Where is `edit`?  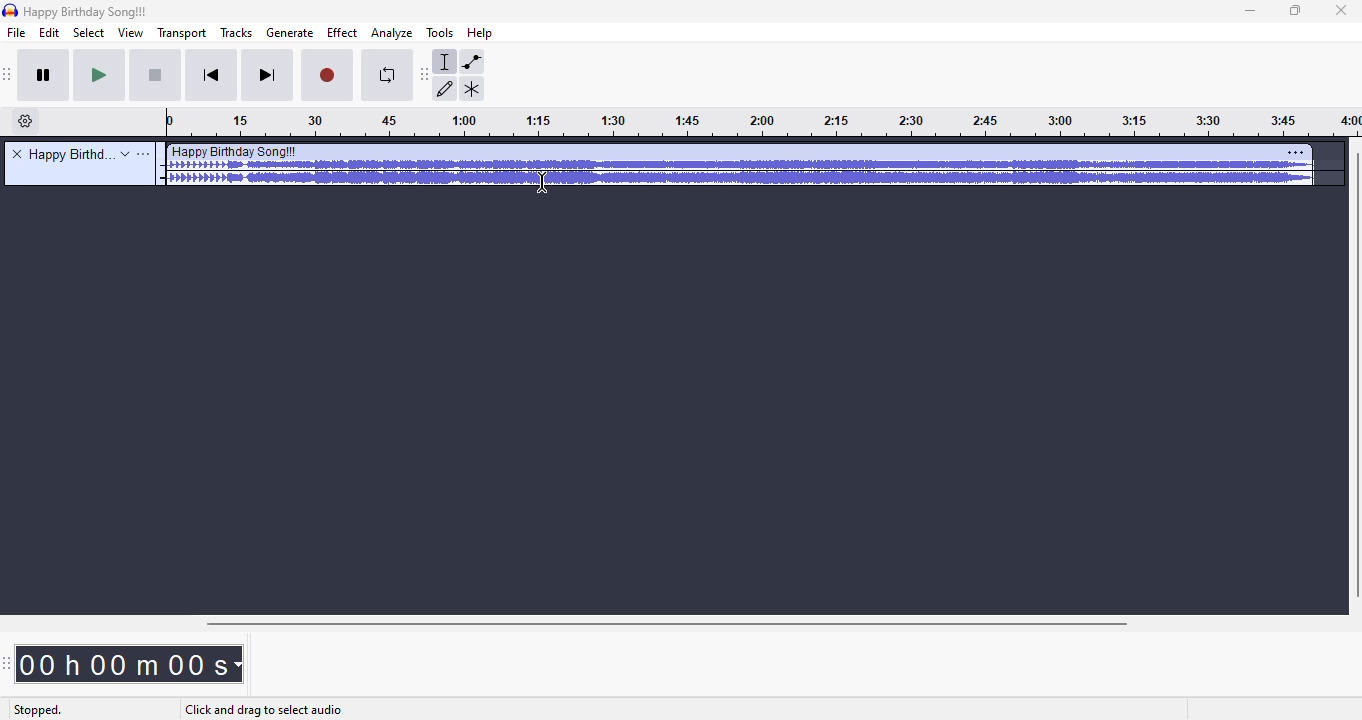
edit is located at coordinates (50, 33).